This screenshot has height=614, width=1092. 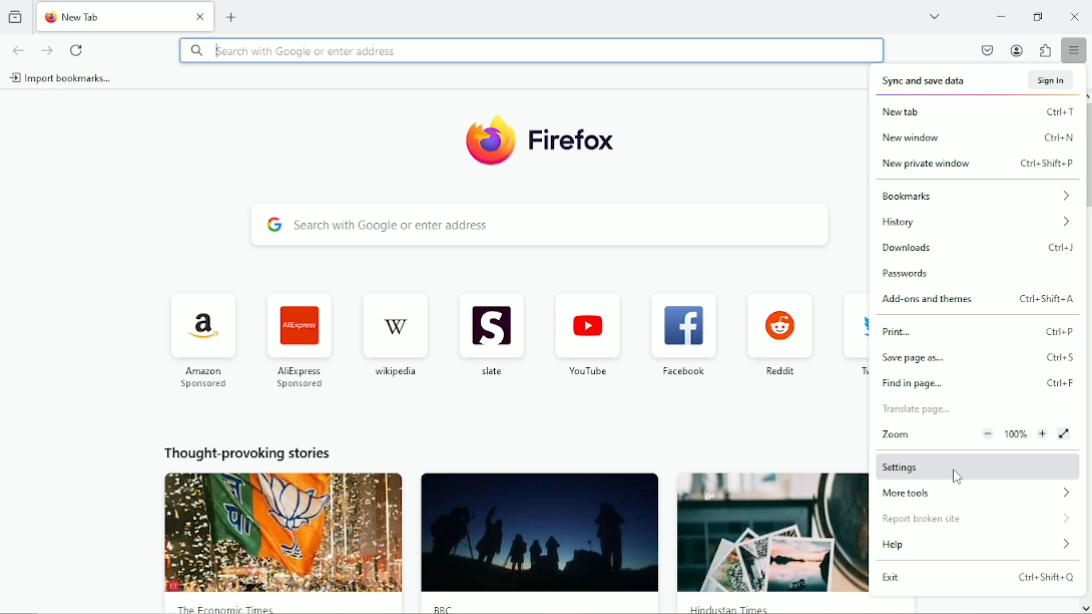 I want to click on Settings, so click(x=975, y=466).